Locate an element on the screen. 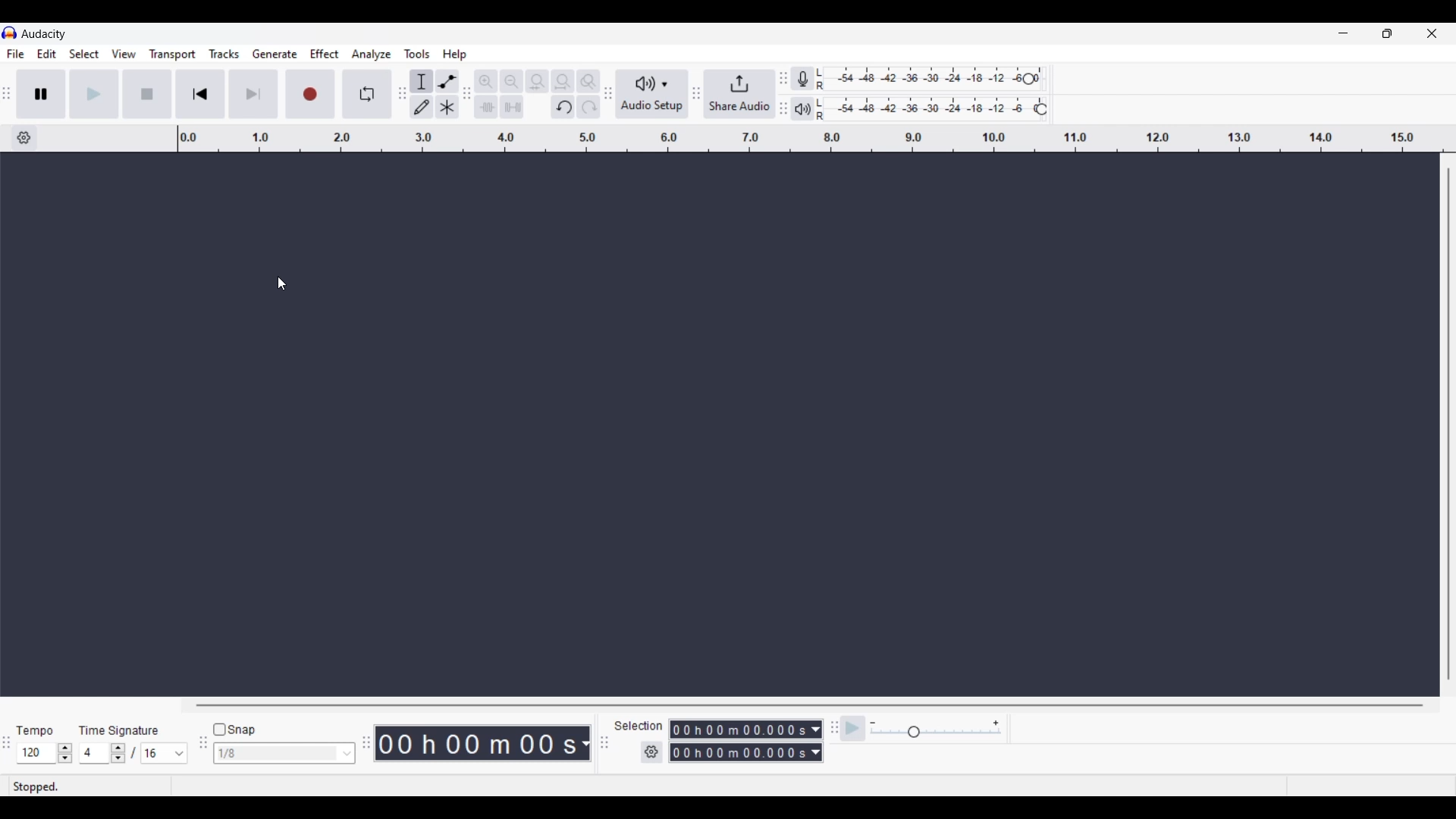 This screenshot has width=1456, height=819. Change recording level is located at coordinates (1028, 78).